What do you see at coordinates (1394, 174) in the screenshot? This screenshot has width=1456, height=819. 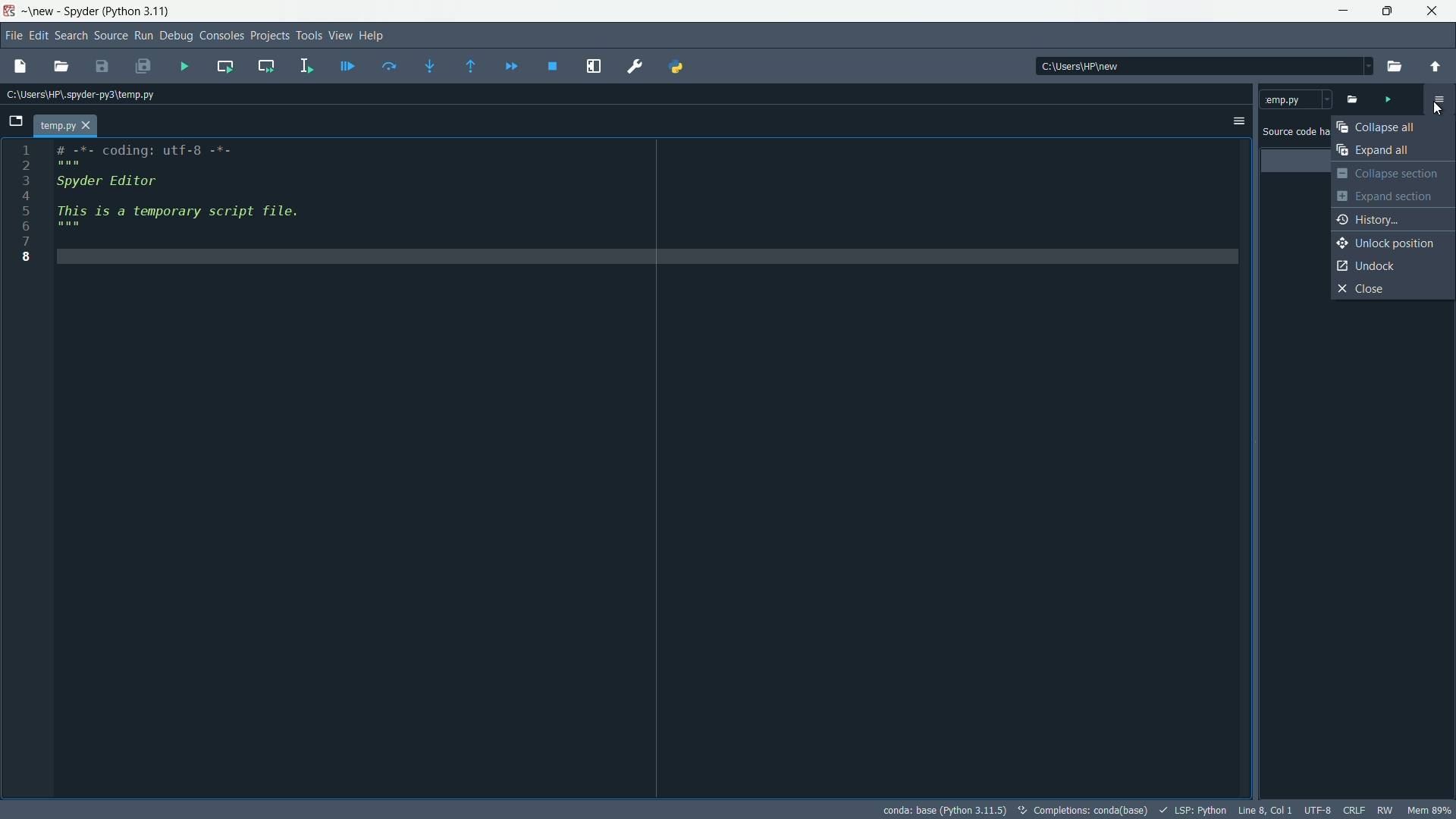 I see `collapse section` at bounding box center [1394, 174].